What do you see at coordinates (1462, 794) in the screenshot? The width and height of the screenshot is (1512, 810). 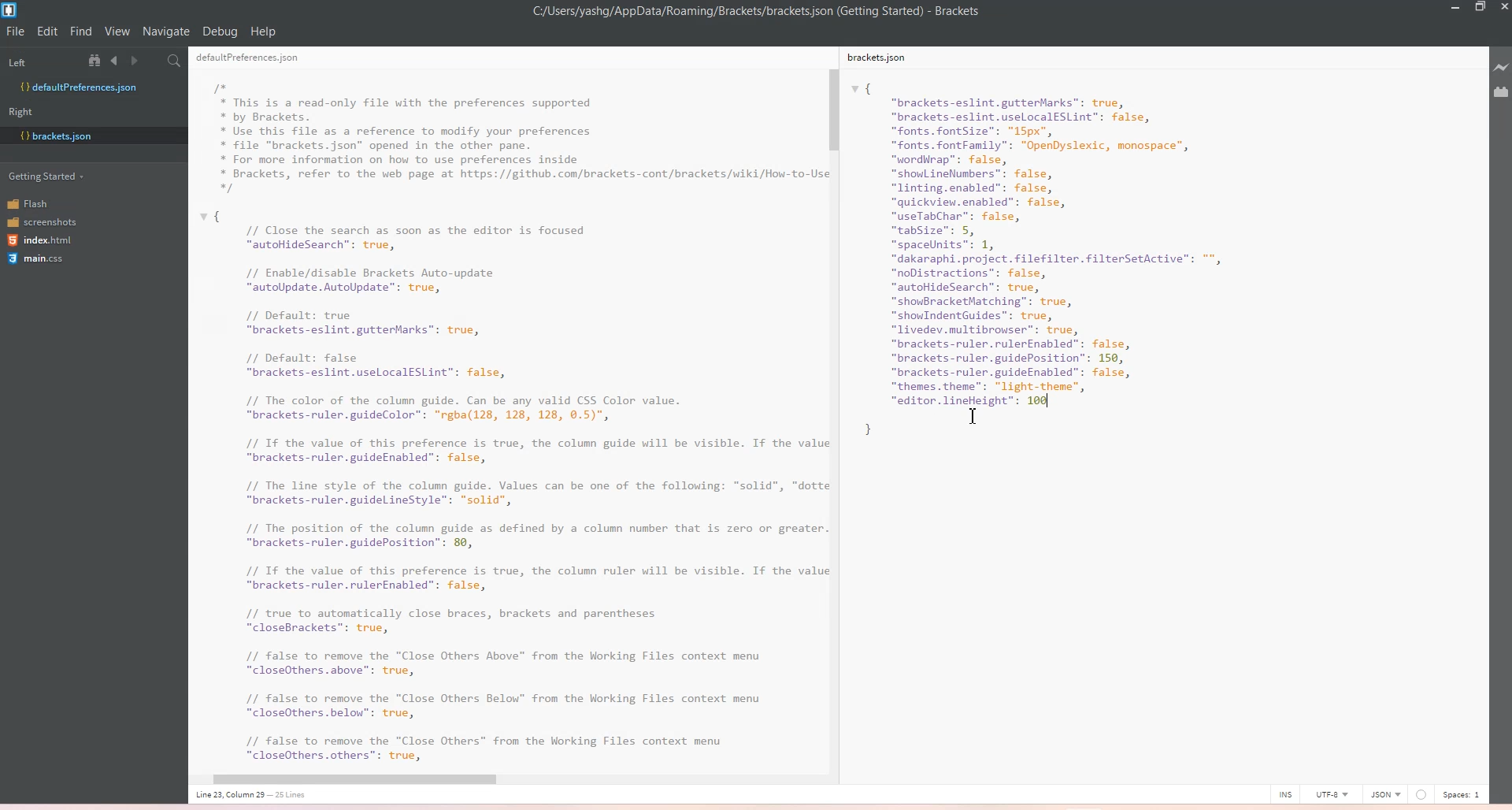 I see `Spaces` at bounding box center [1462, 794].